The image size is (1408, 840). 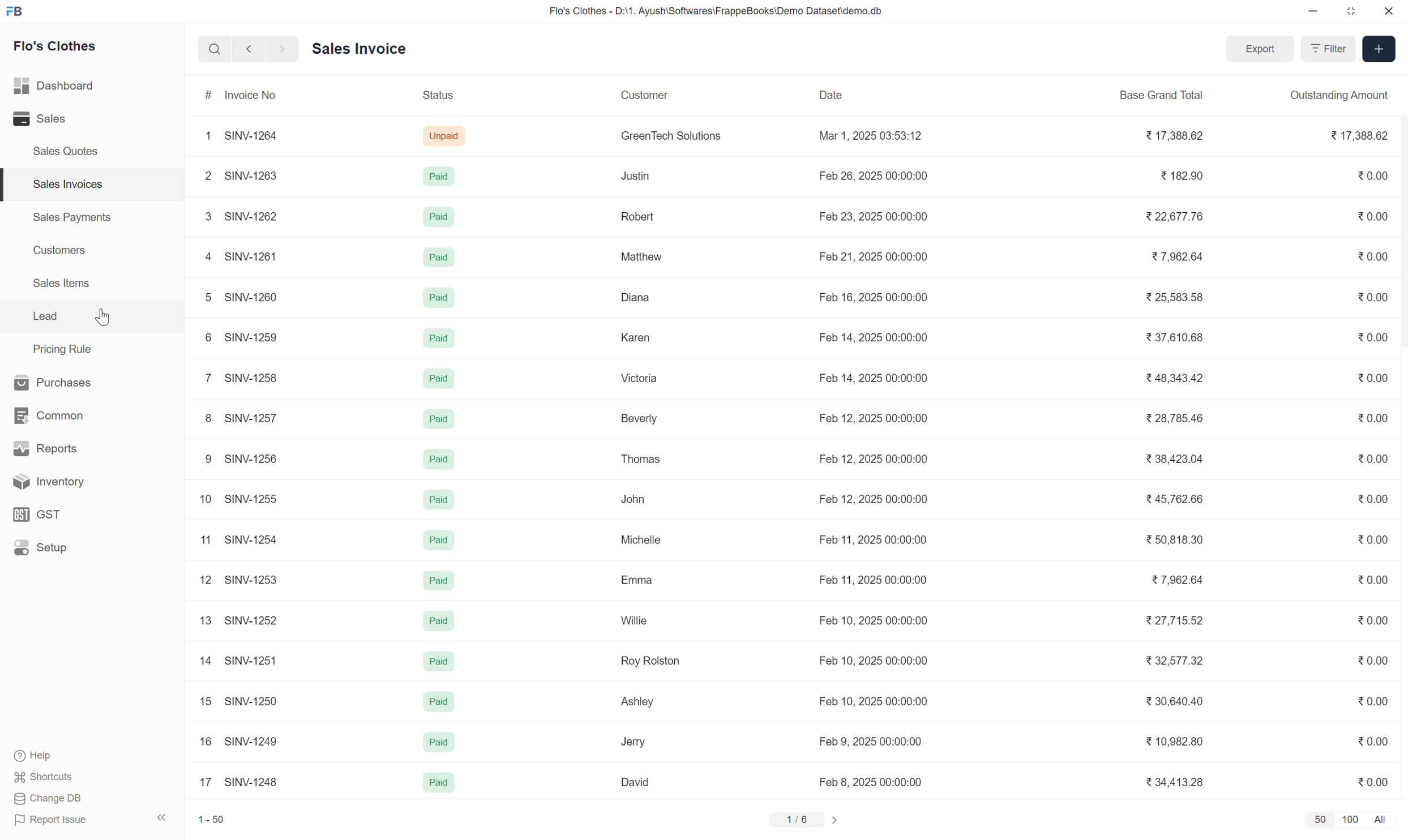 What do you see at coordinates (1172, 297) in the screenshot?
I see `325,583.58` at bounding box center [1172, 297].